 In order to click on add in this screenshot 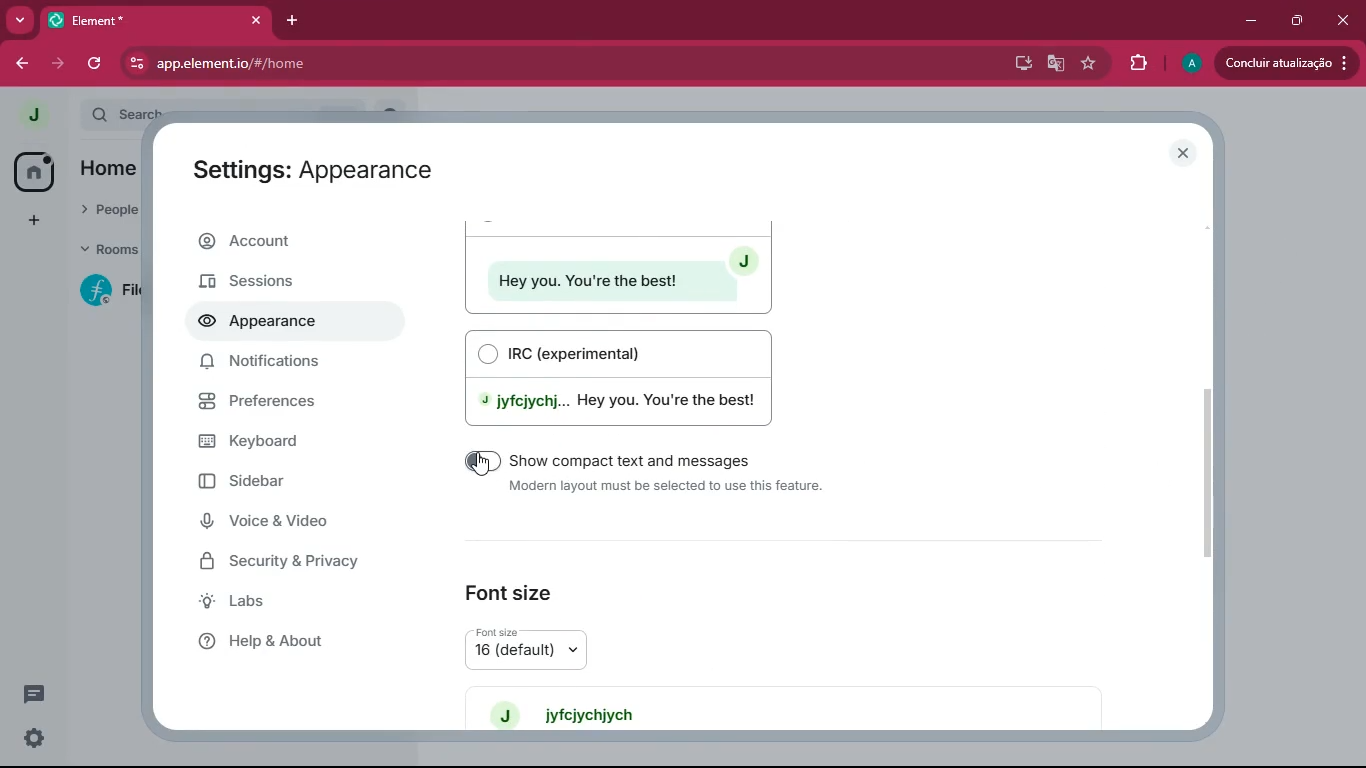, I will do `click(29, 220)`.